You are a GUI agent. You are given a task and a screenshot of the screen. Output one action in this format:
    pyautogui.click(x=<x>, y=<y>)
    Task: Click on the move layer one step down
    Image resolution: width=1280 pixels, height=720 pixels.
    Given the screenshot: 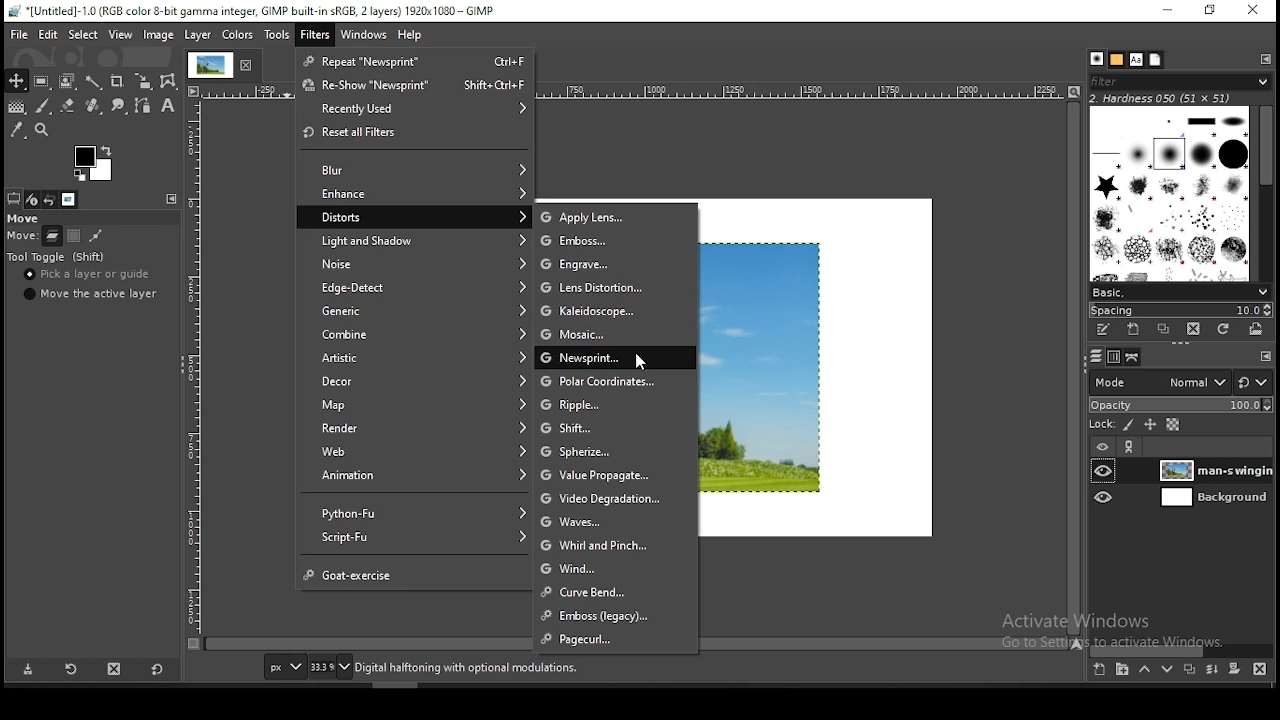 What is the action you would take?
    pyautogui.click(x=1166, y=667)
    